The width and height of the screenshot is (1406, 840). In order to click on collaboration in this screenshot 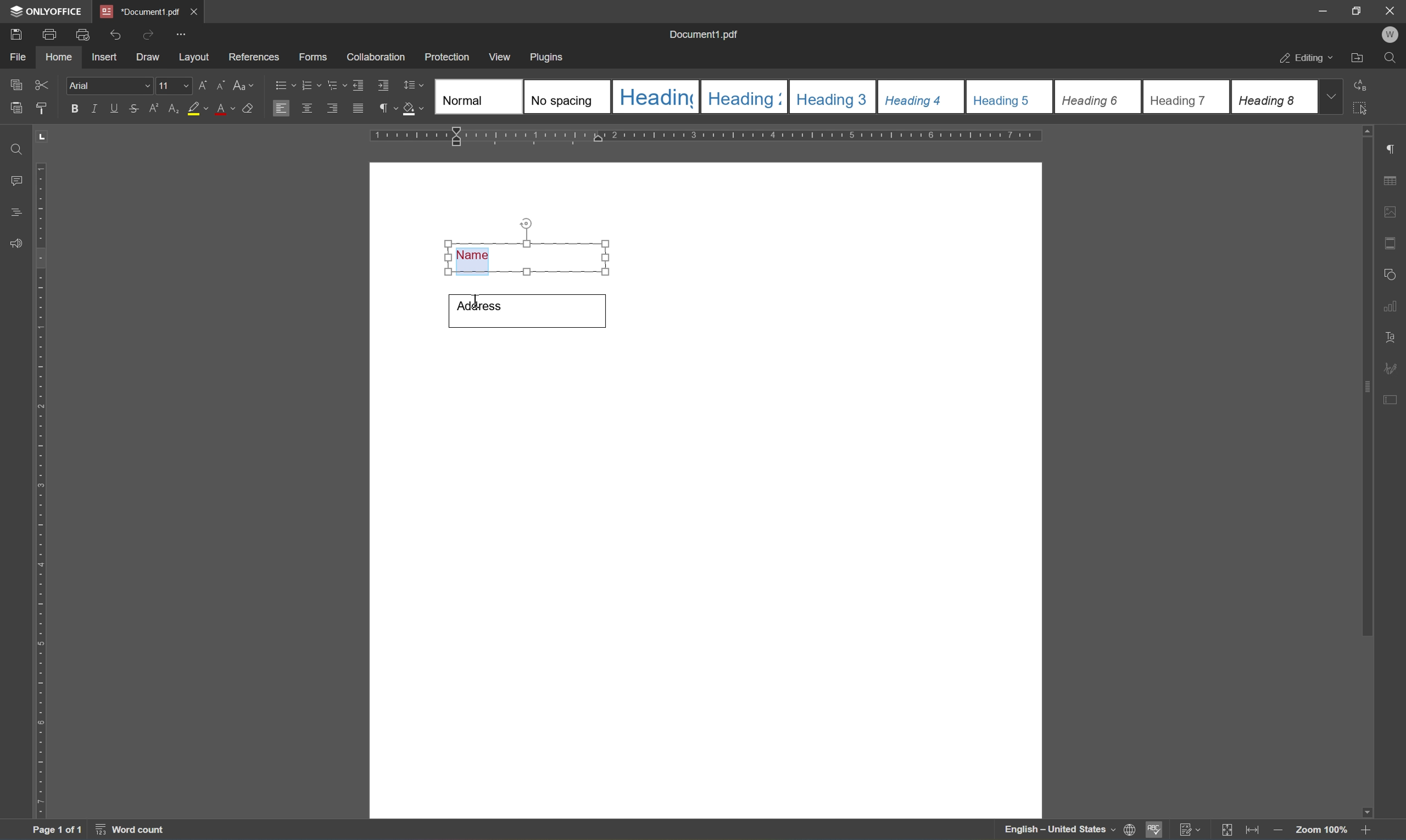, I will do `click(377, 59)`.